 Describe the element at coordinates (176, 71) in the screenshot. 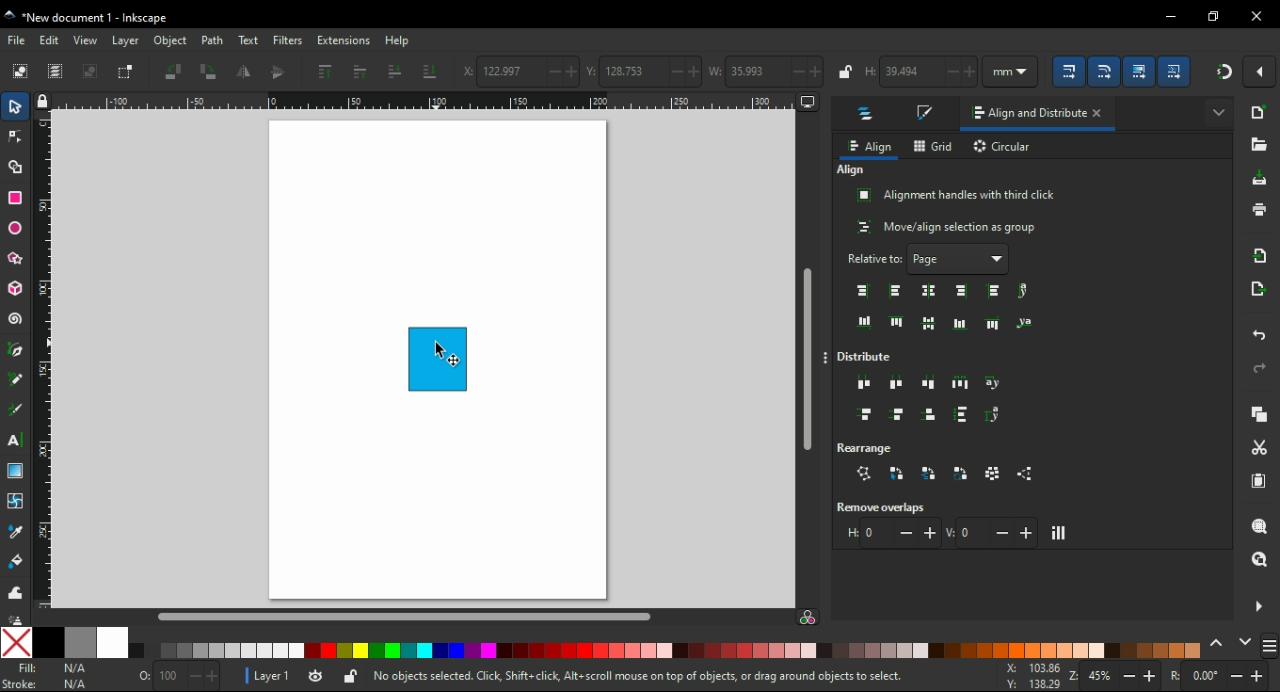

I see `object rotate 90 CCW` at that location.